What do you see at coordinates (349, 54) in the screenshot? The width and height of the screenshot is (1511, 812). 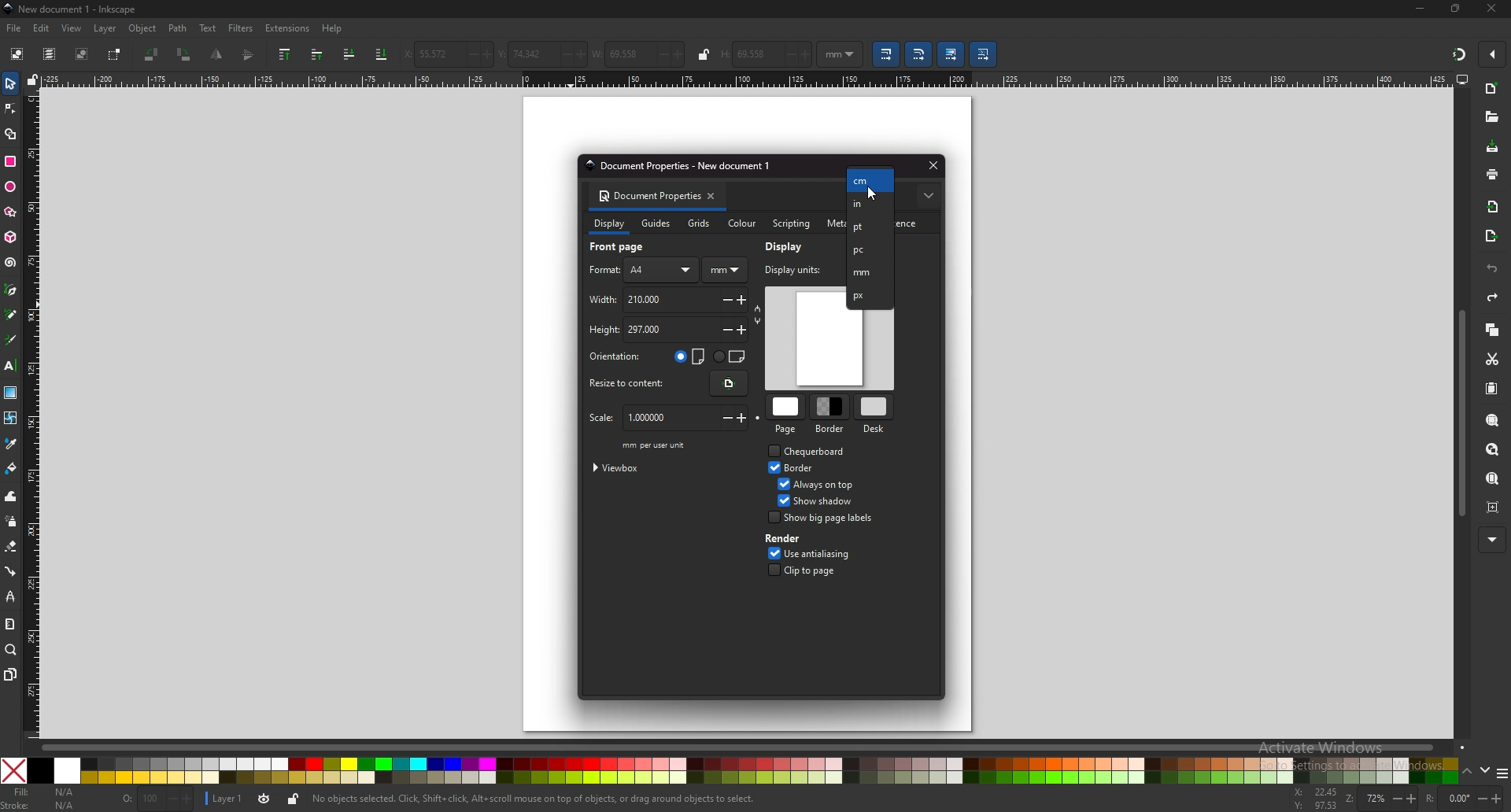 I see `lower selection to one step` at bounding box center [349, 54].